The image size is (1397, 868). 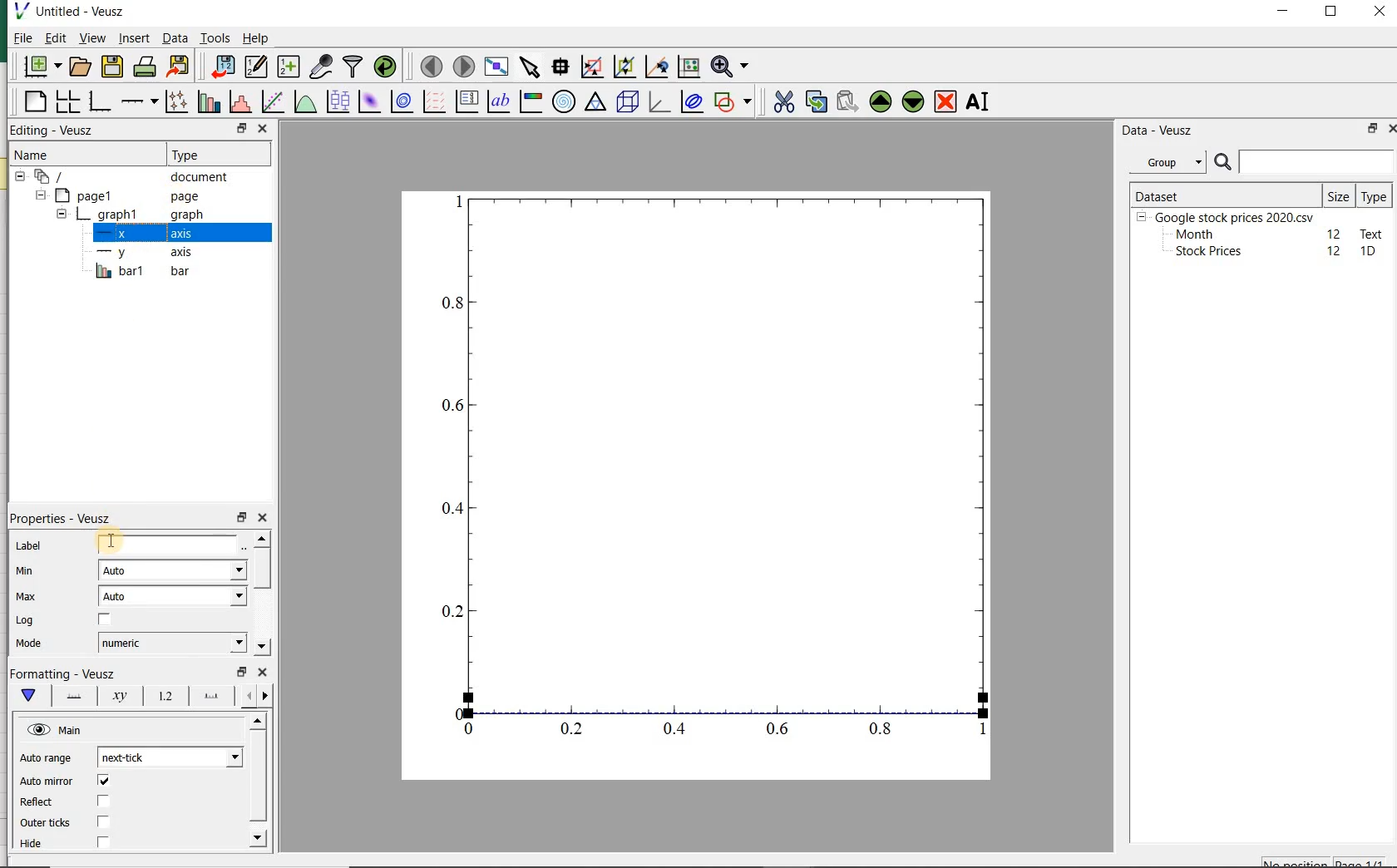 What do you see at coordinates (46, 759) in the screenshot?
I see `Auto range` at bounding box center [46, 759].